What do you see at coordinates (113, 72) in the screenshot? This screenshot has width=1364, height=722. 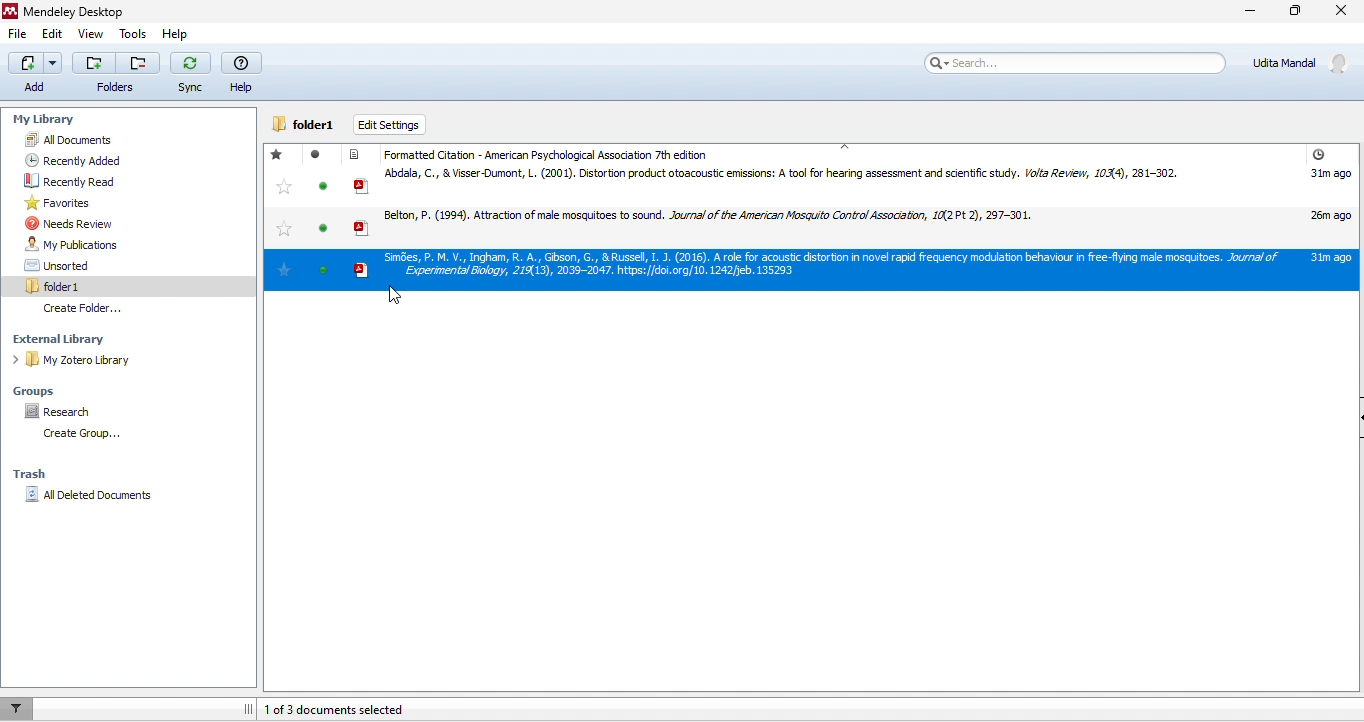 I see `folders` at bounding box center [113, 72].